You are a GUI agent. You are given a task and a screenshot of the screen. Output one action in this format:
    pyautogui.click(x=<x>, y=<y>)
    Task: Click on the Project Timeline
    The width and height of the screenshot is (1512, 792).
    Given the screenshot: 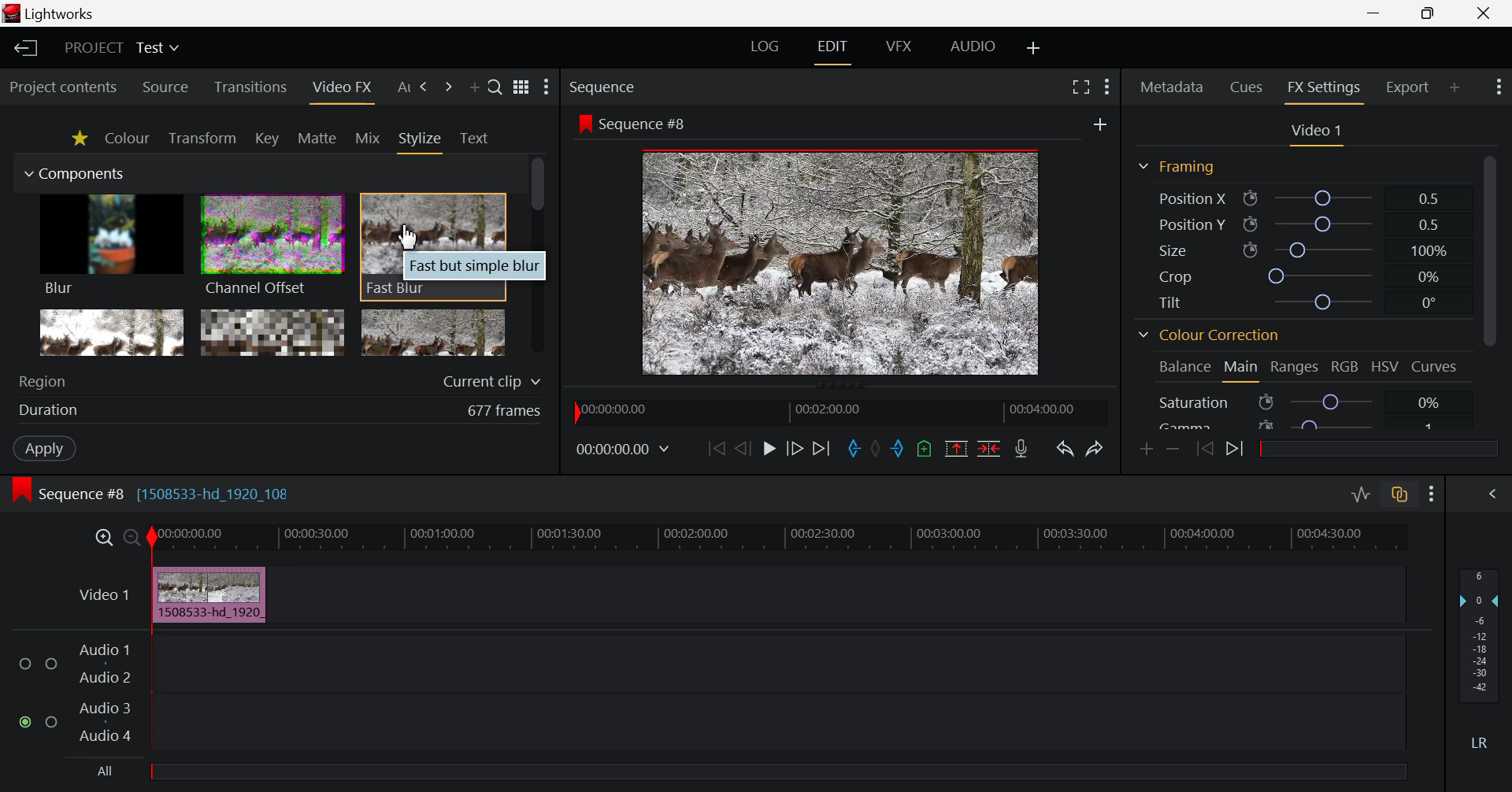 What is the action you would take?
    pyautogui.click(x=779, y=536)
    